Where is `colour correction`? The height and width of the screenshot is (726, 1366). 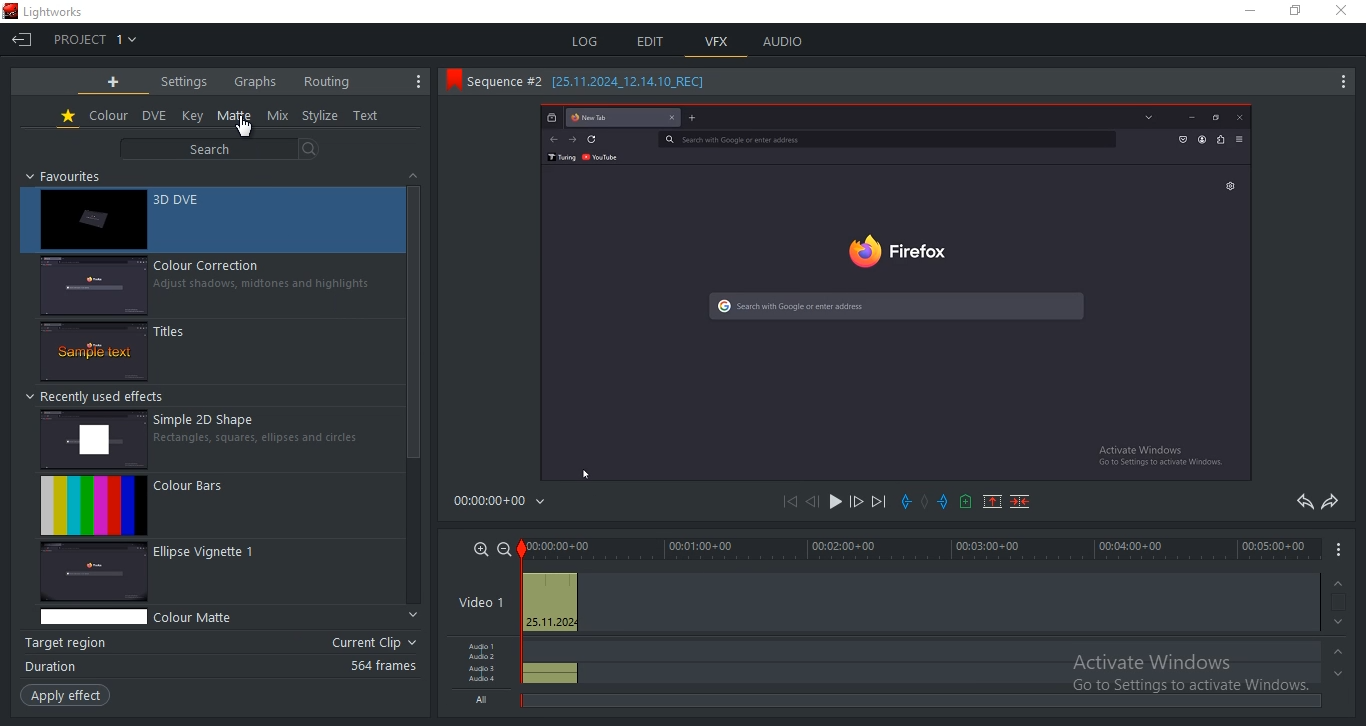
colour correction is located at coordinates (215, 286).